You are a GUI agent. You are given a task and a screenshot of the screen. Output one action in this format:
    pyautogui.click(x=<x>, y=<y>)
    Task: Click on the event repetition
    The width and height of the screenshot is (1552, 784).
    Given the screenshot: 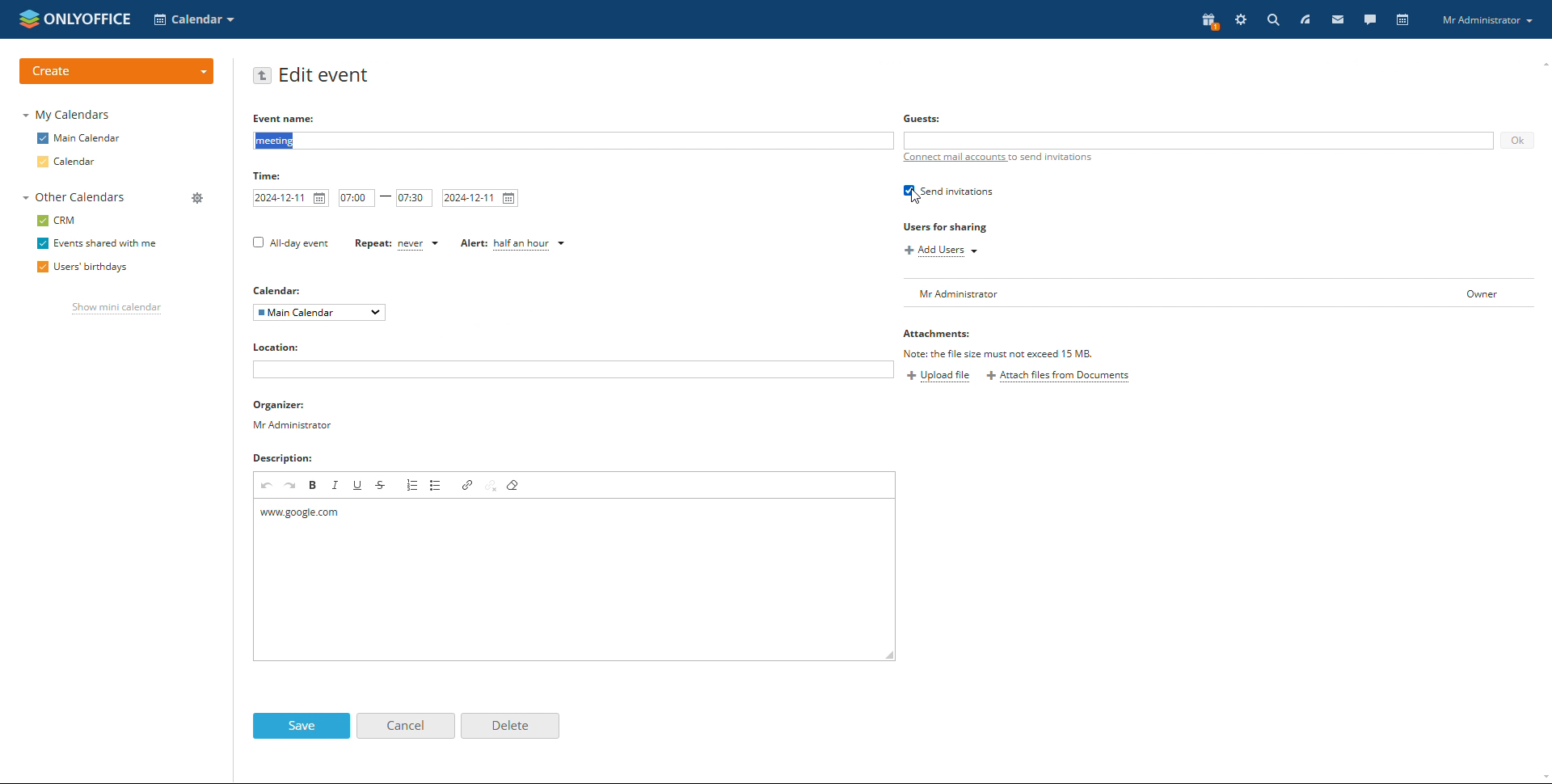 What is the action you would take?
    pyautogui.click(x=420, y=244)
    